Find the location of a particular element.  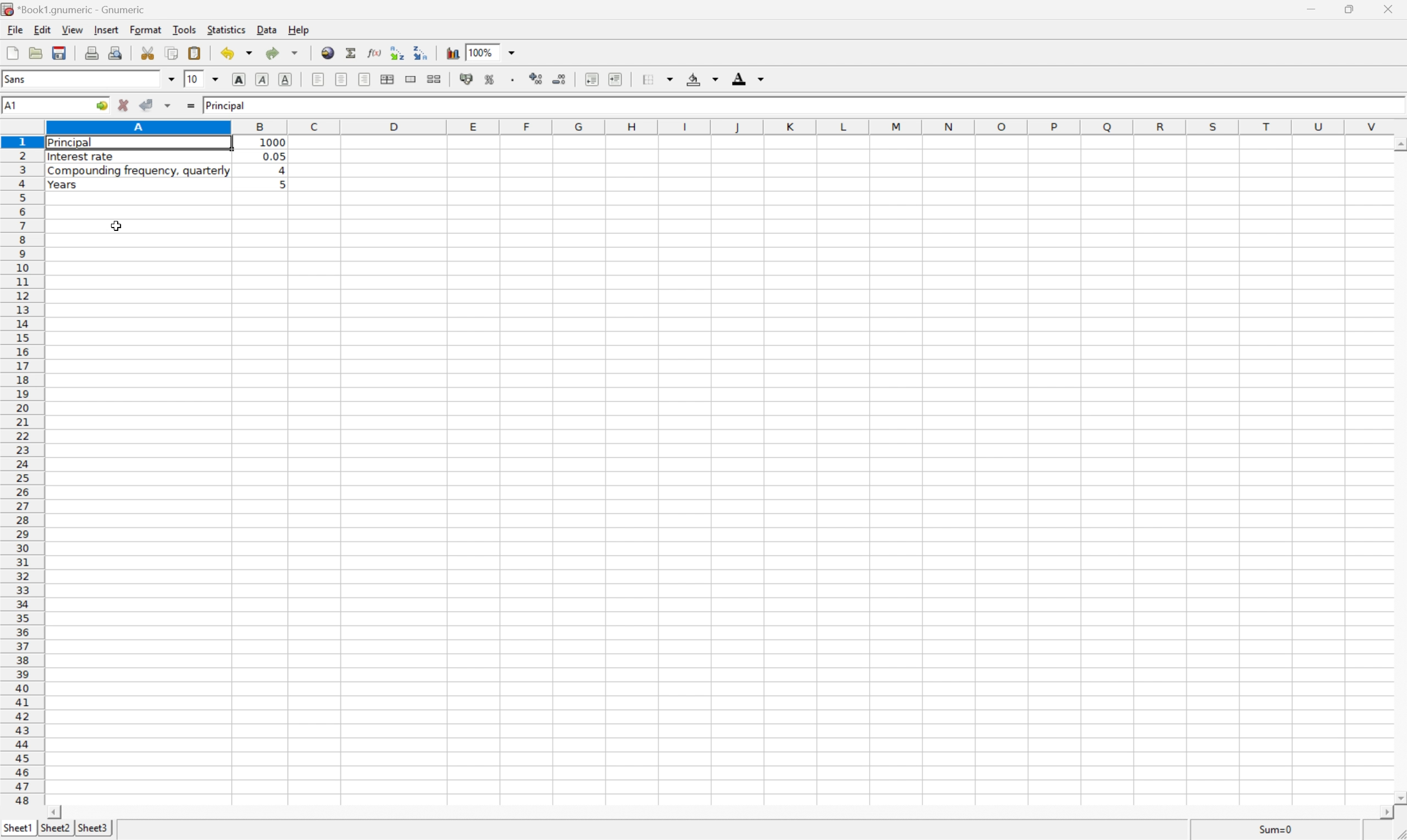

scroll right is located at coordinates (1384, 816).